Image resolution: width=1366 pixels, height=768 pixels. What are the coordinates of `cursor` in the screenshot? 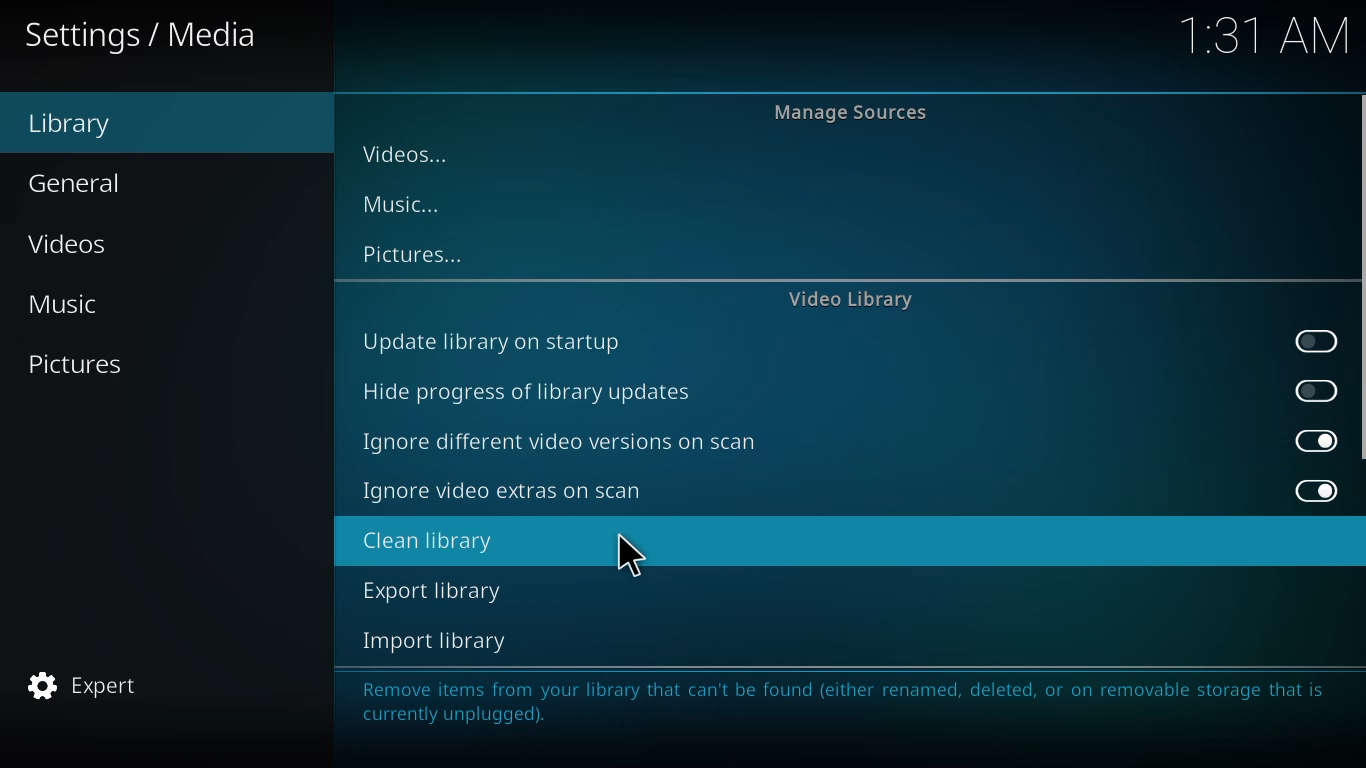 It's located at (628, 554).